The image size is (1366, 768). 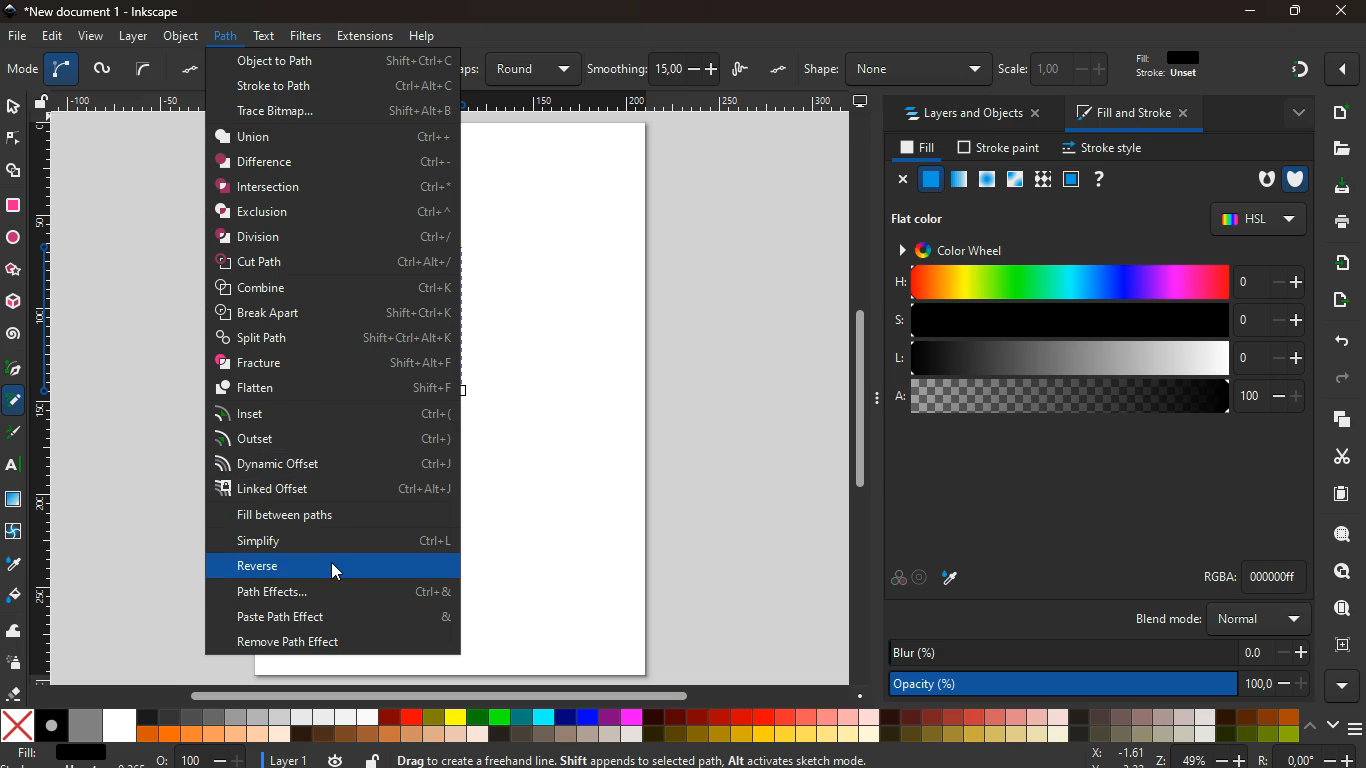 I want to click on spiral, so click(x=13, y=334).